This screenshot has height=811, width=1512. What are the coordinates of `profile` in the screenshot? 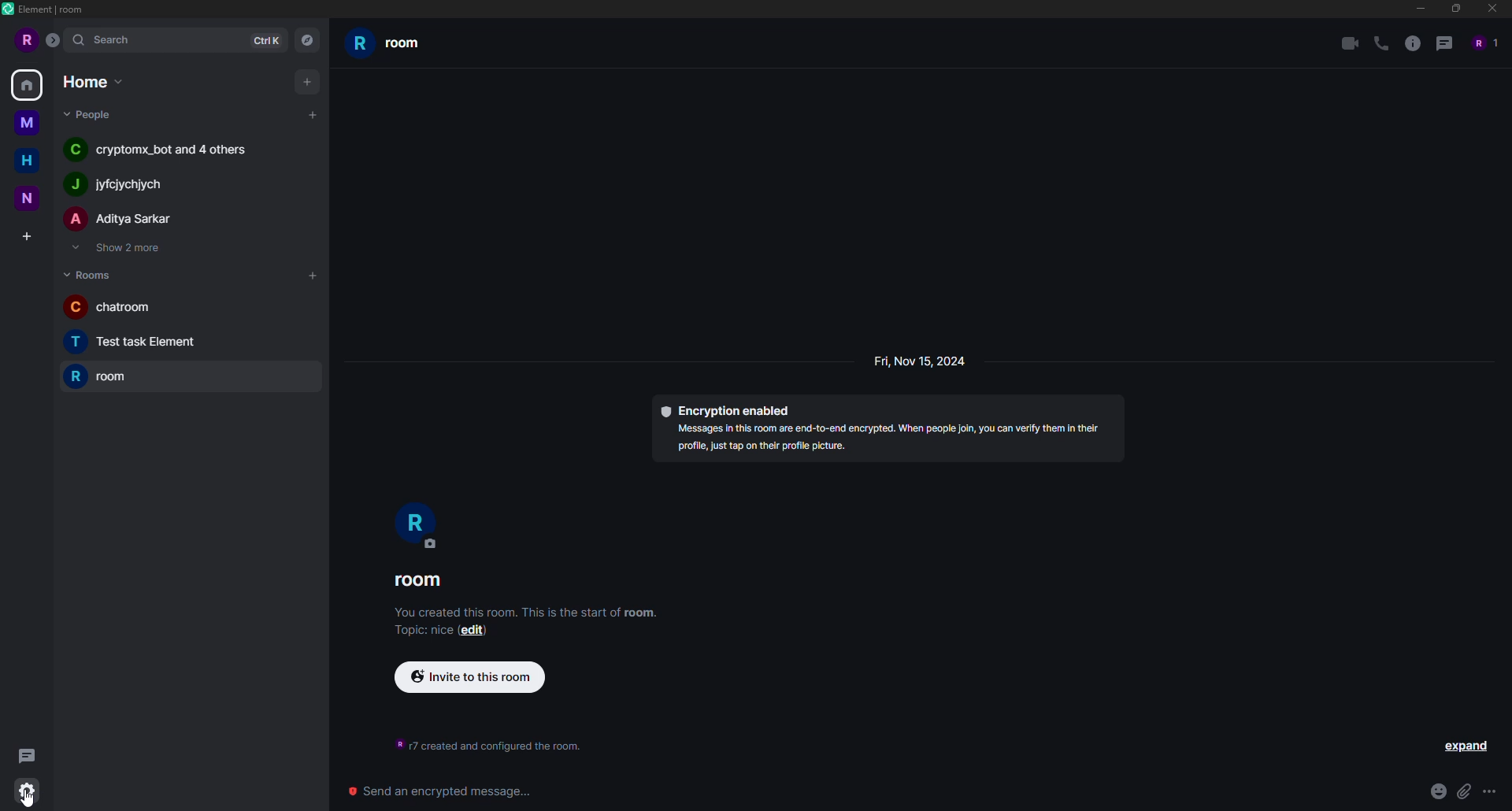 It's located at (24, 41).